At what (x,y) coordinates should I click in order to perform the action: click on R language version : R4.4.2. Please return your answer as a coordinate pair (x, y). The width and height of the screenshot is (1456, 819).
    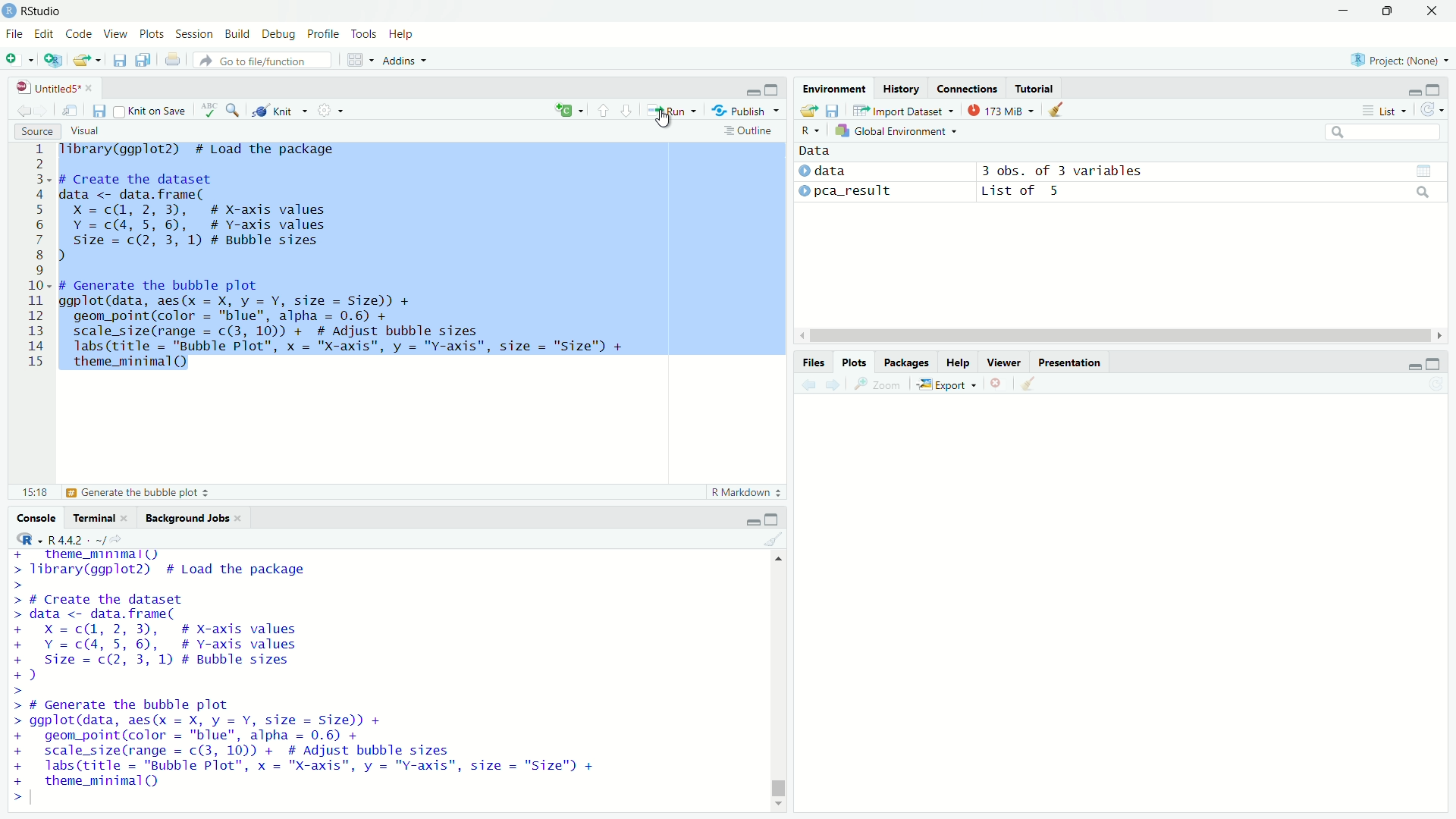
    Looking at the image, I should click on (85, 539).